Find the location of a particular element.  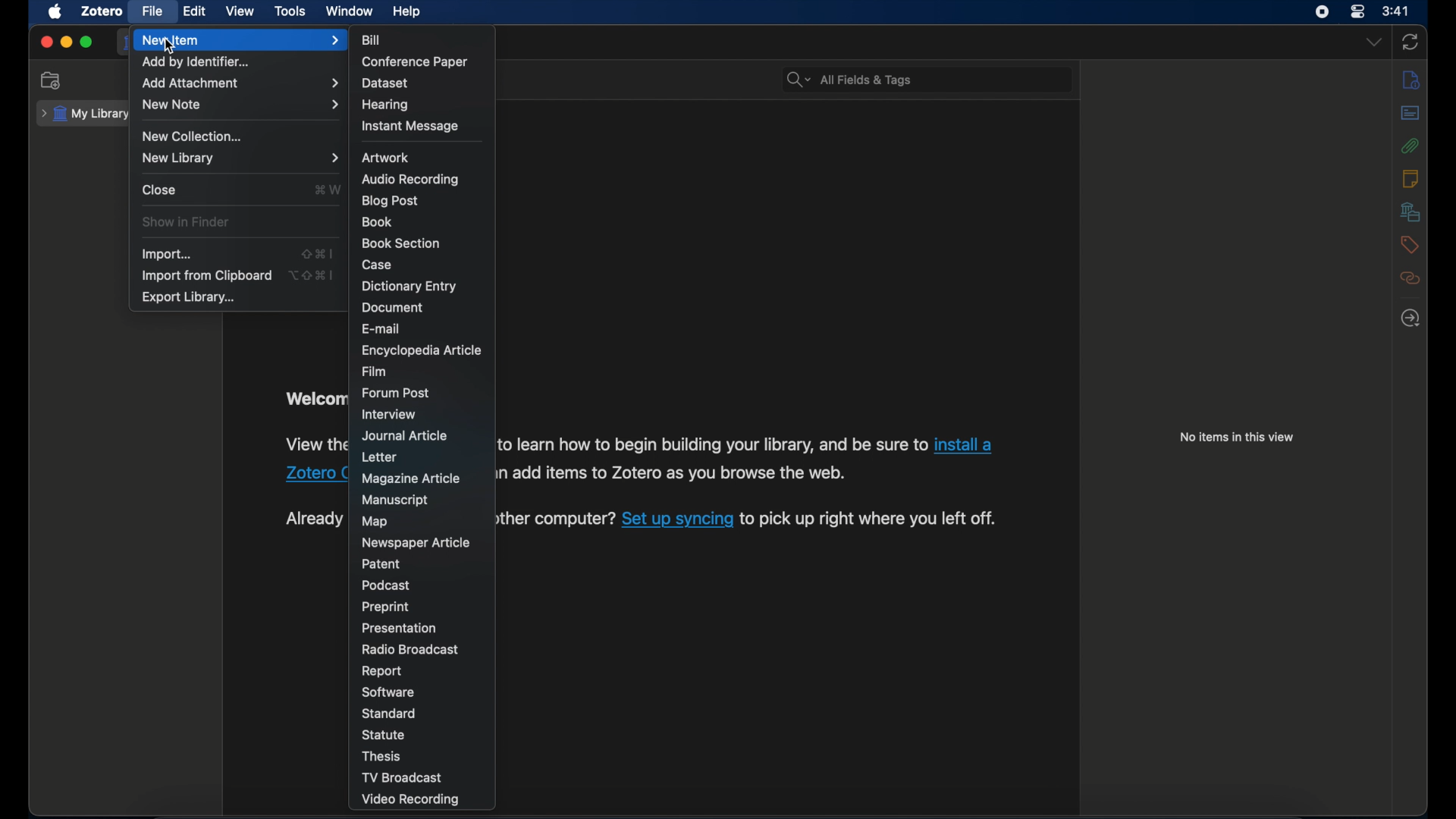

 is located at coordinates (312, 472).